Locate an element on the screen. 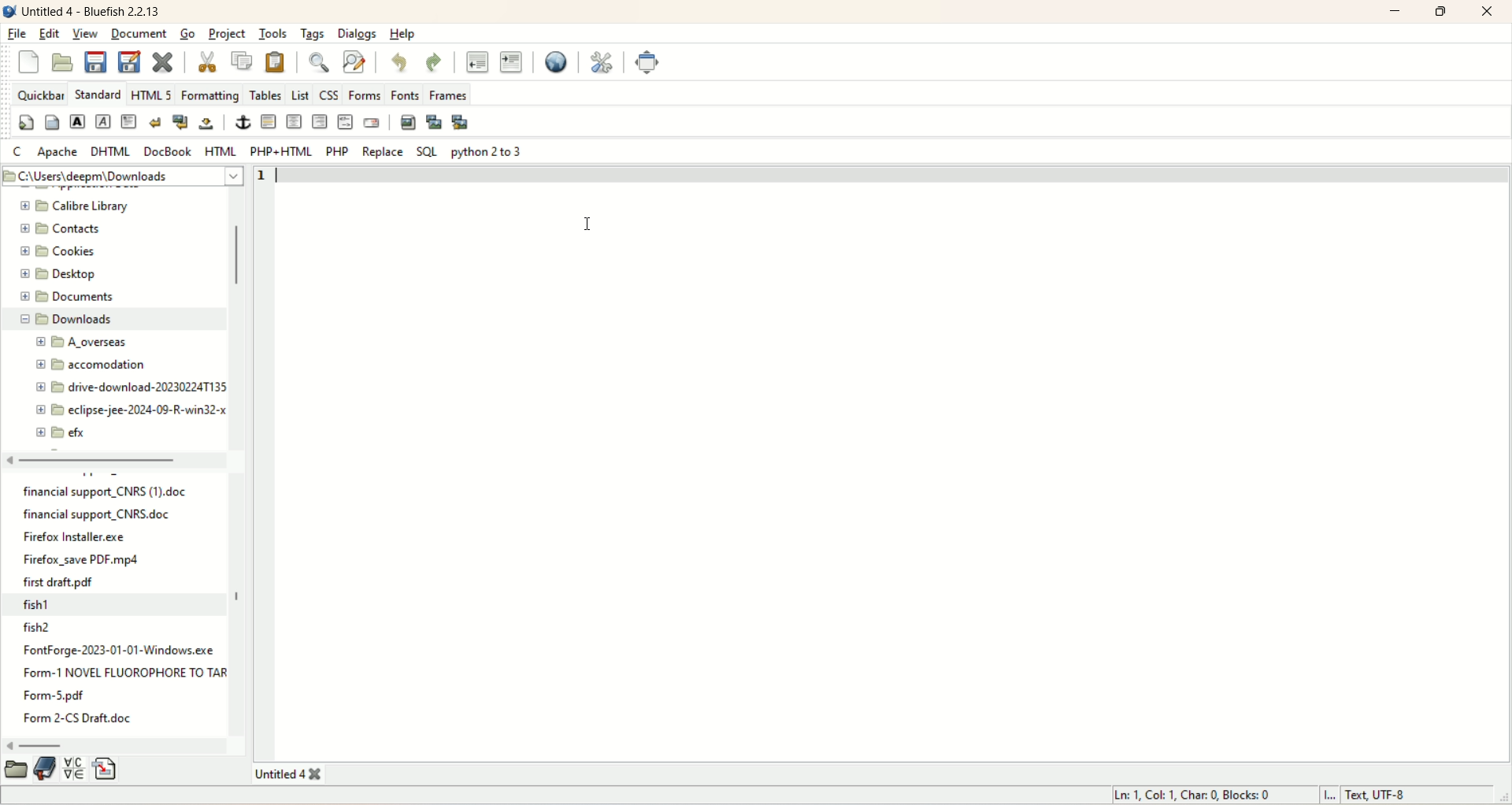 This screenshot has height=805, width=1512. quick start is located at coordinates (26, 122).